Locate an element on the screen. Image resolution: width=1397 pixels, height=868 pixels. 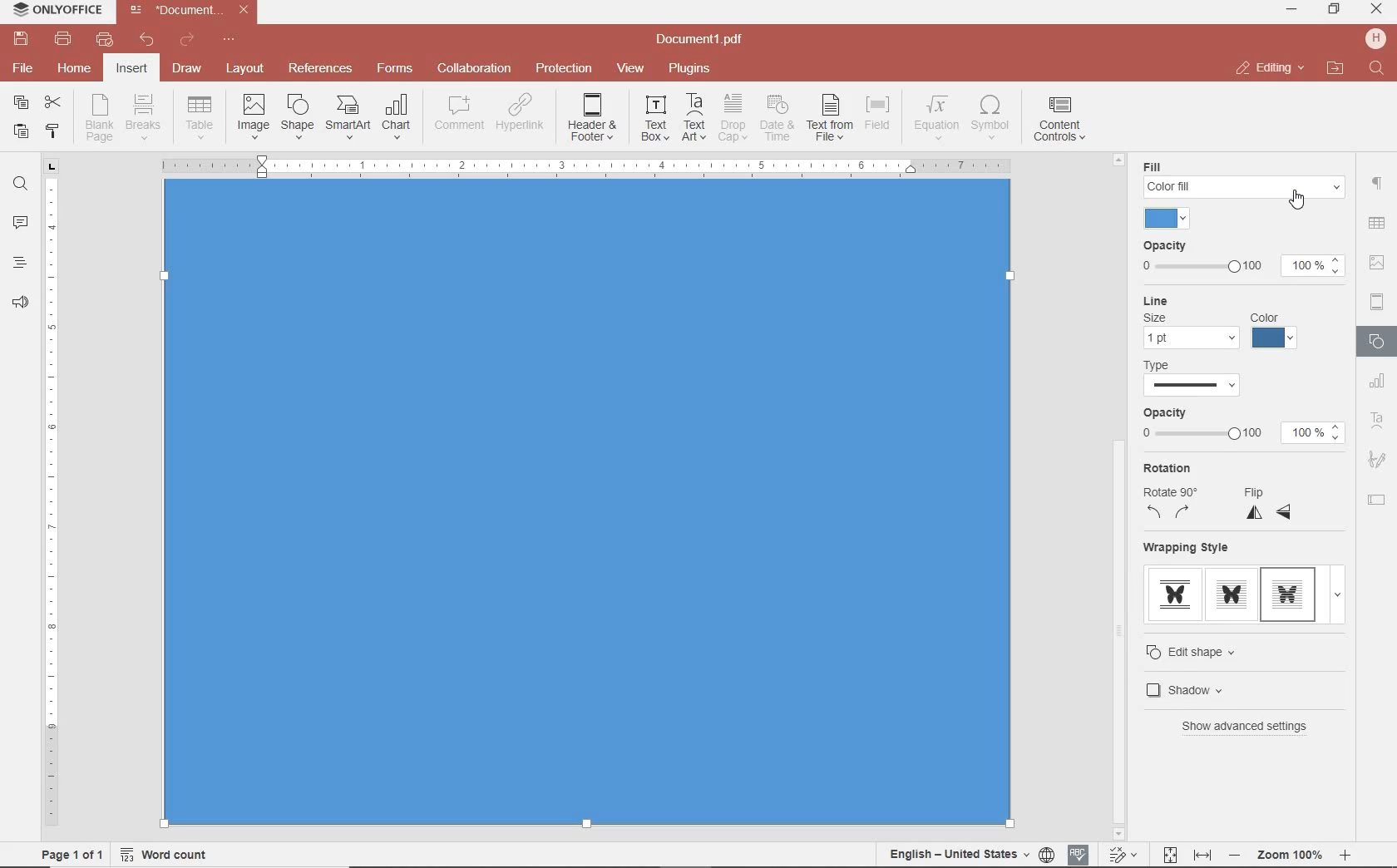
CURSOR is located at coordinates (1298, 204).